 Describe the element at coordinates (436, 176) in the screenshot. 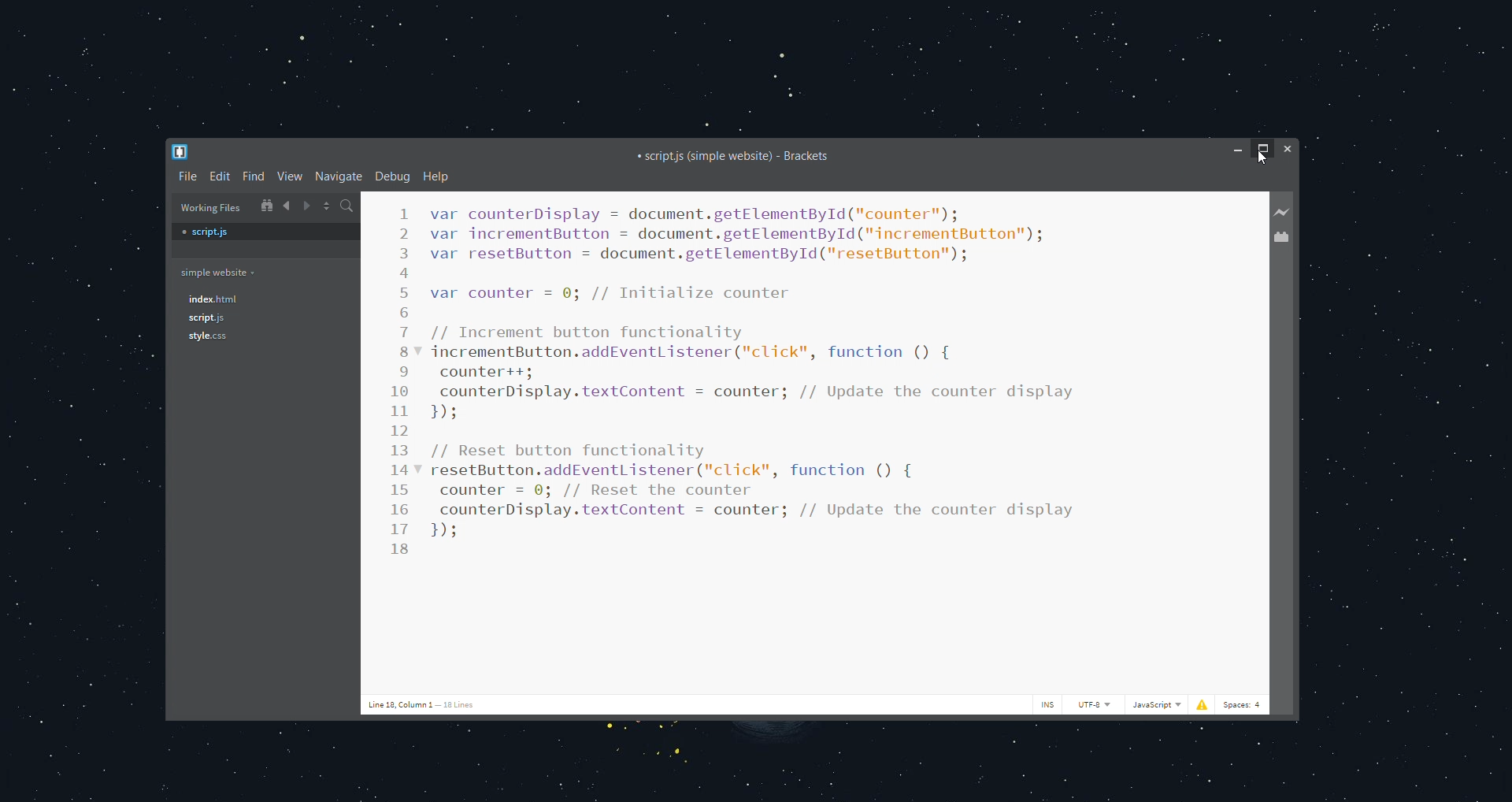

I see `help` at that location.